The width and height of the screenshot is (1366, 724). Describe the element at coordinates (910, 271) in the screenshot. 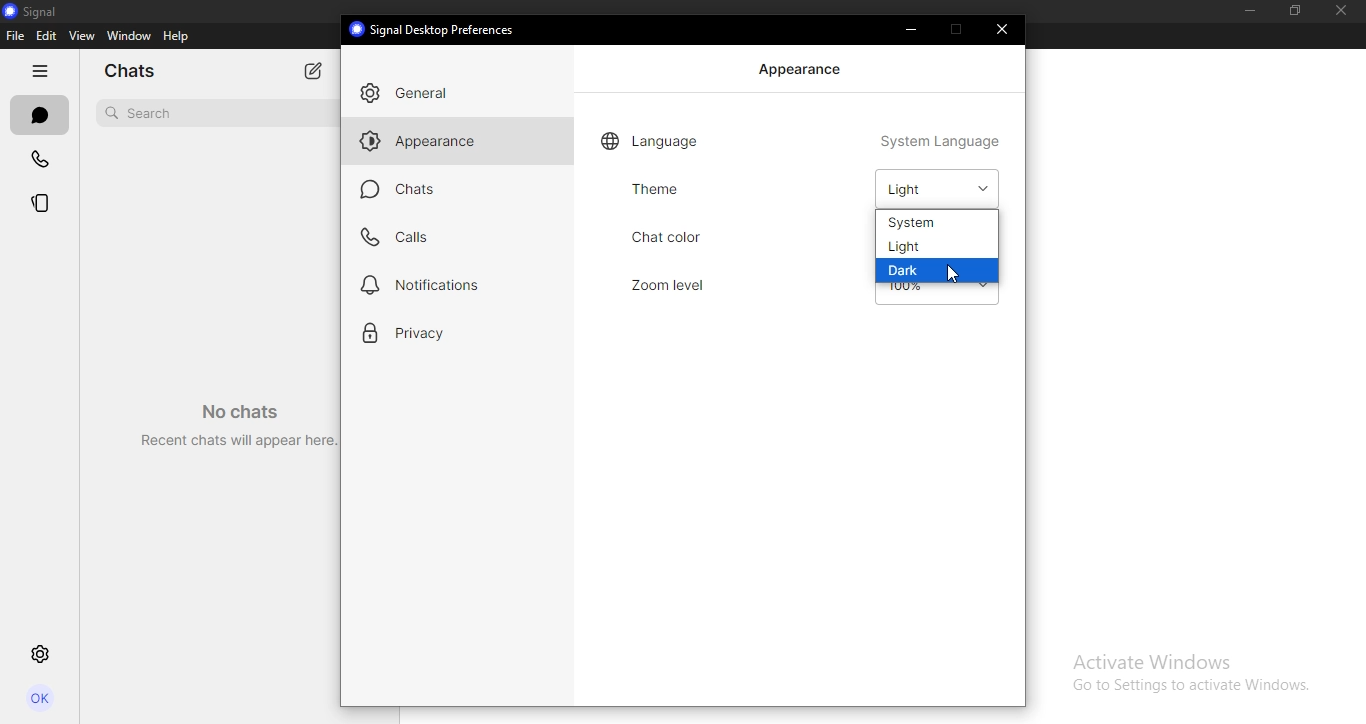

I see `dark` at that location.